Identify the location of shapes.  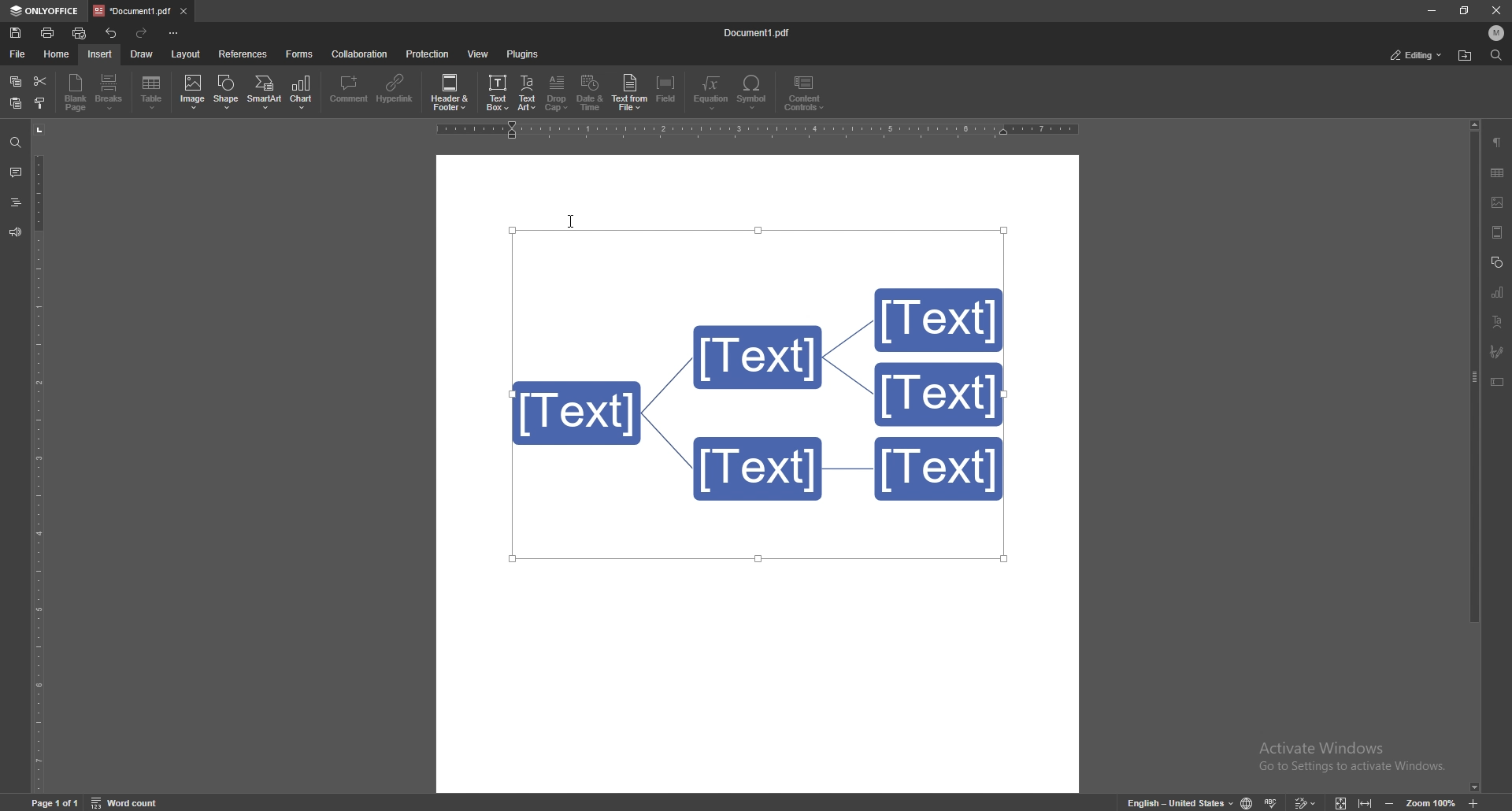
(1498, 261).